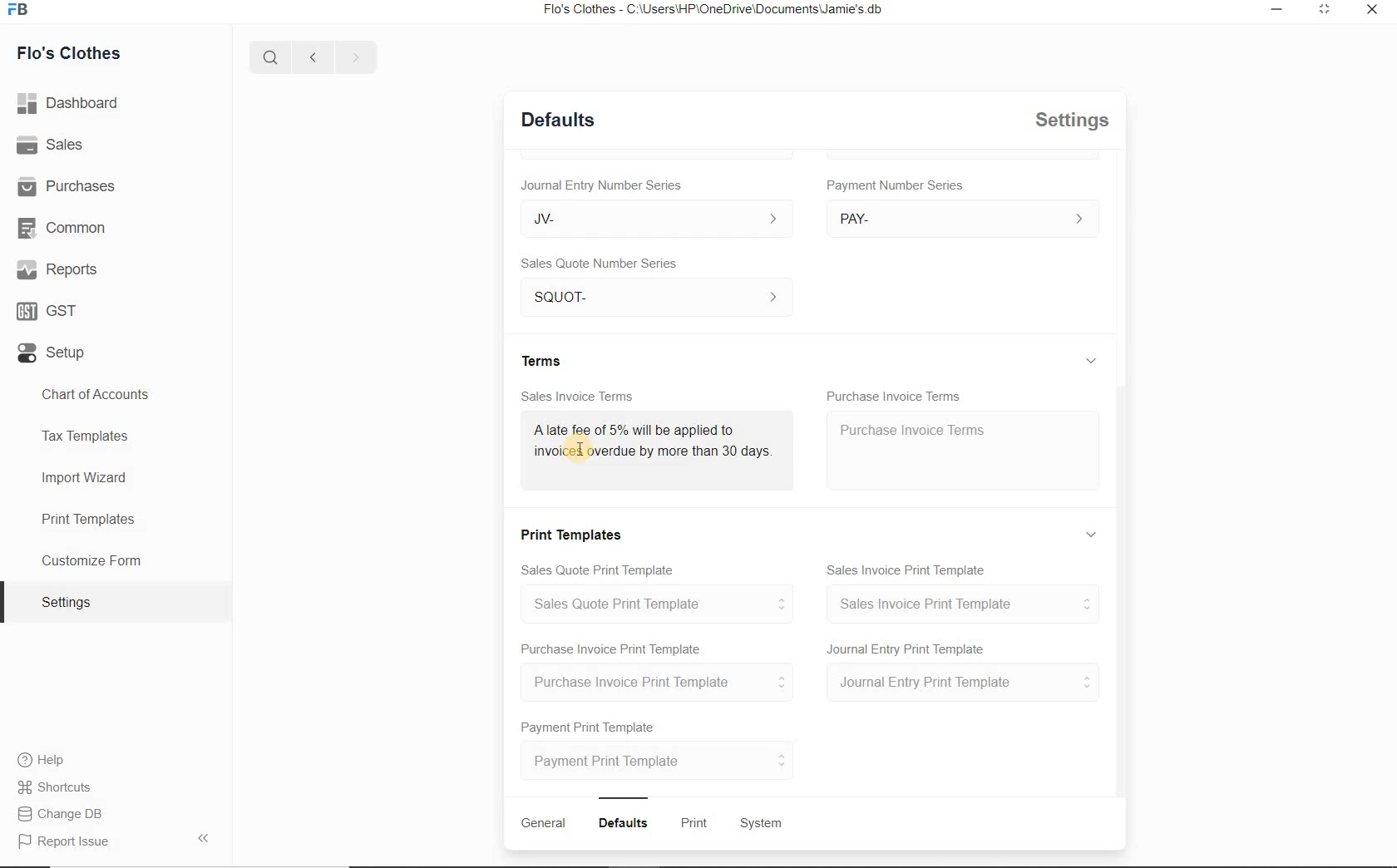 This screenshot has width=1397, height=868. Describe the element at coordinates (590, 724) in the screenshot. I see `Payment Print Template` at that location.